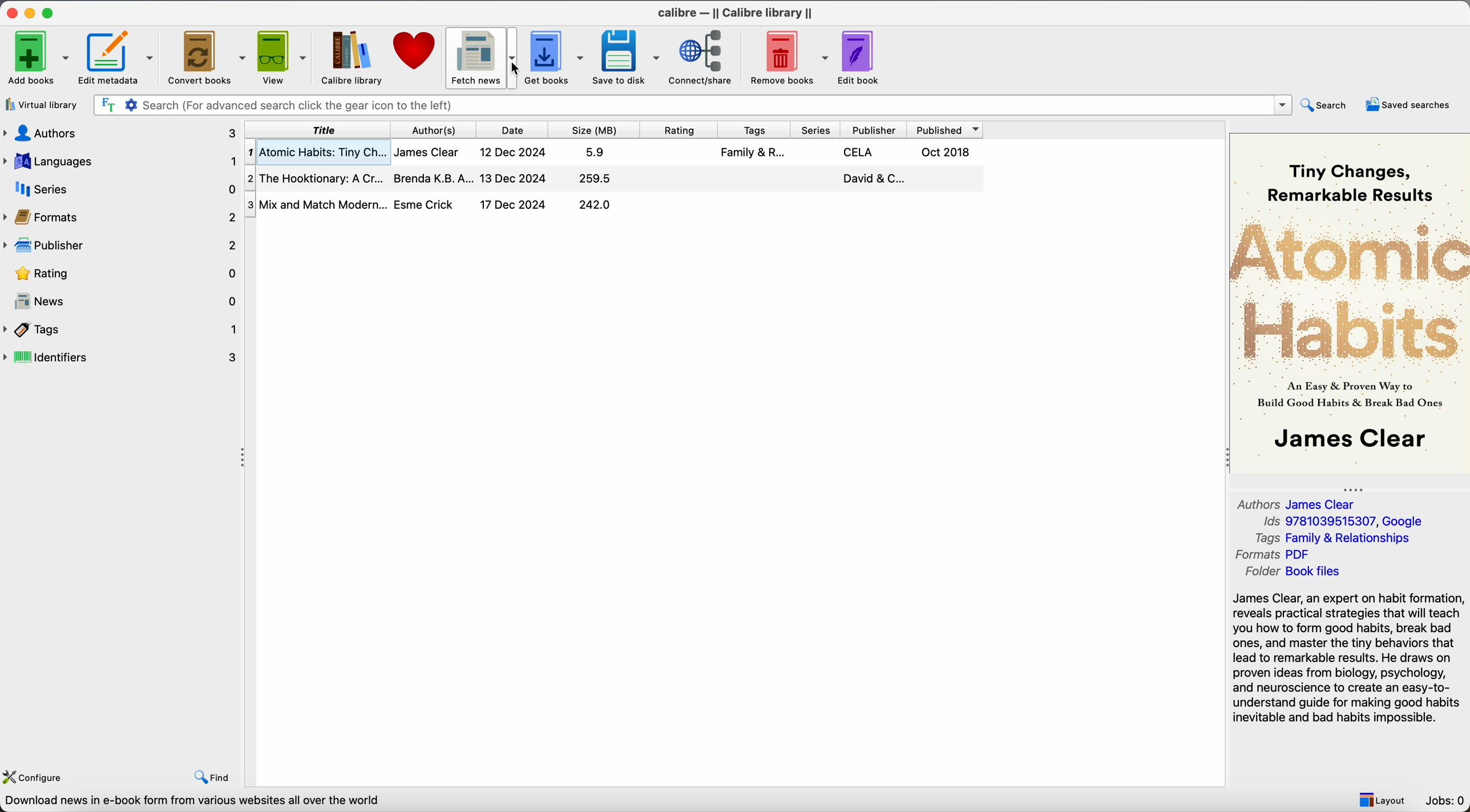 The image size is (1470, 812). What do you see at coordinates (595, 205) in the screenshot?
I see `242.0` at bounding box center [595, 205].